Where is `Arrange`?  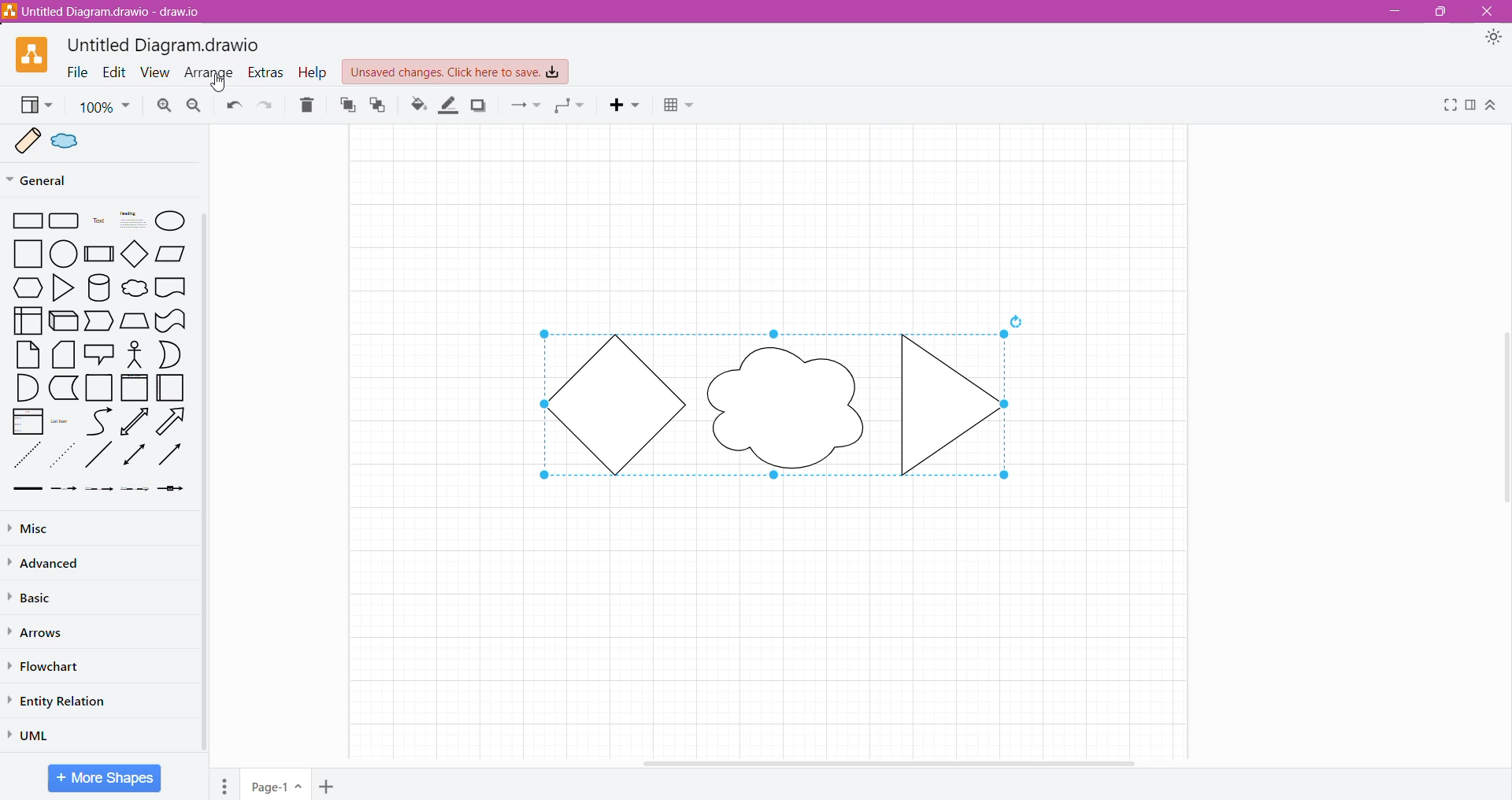
Arrange is located at coordinates (209, 73).